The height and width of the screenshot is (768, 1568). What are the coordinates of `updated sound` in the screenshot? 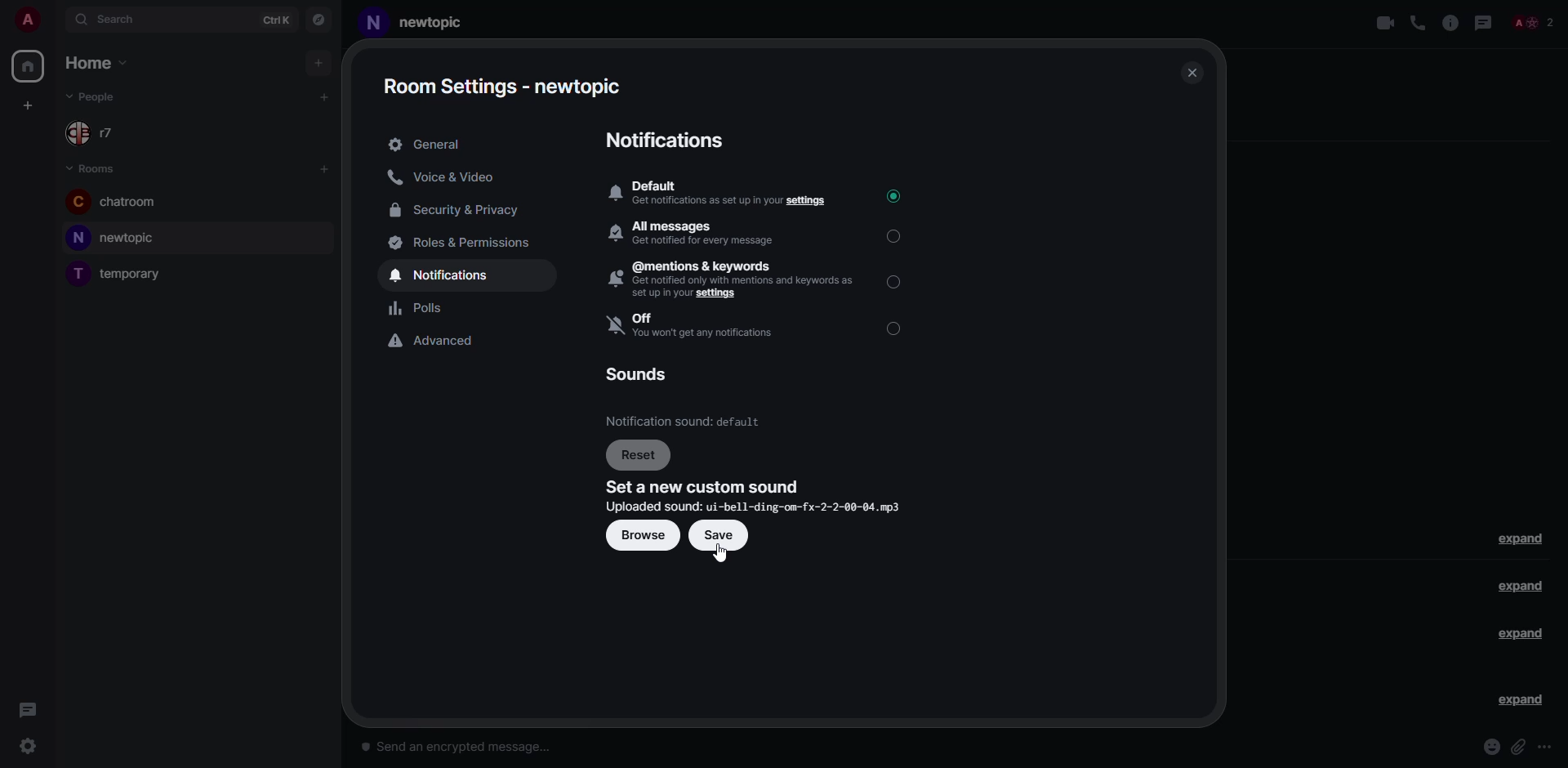 It's located at (761, 506).